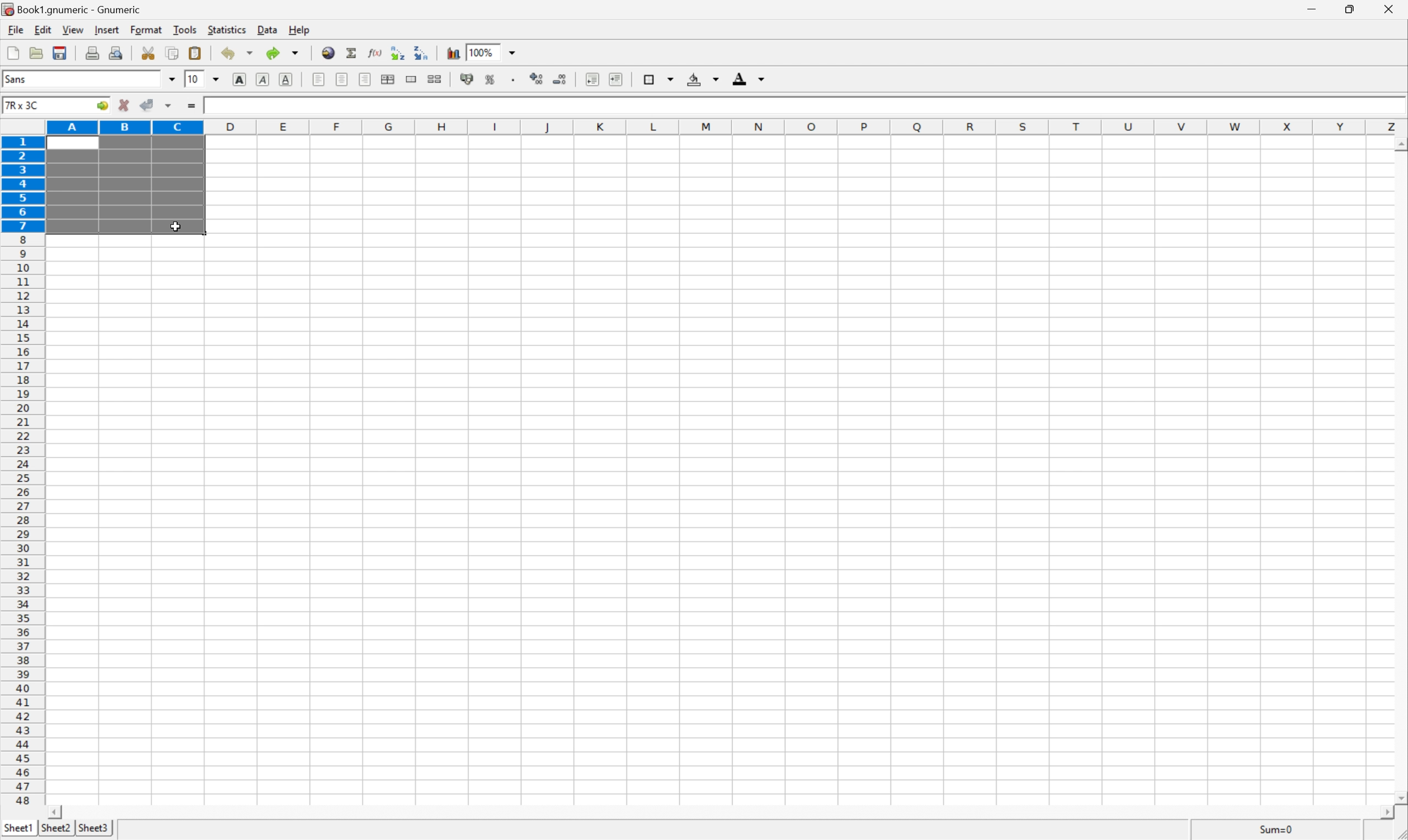 This screenshot has width=1408, height=840. What do you see at coordinates (263, 80) in the screenshot?
I see `italic` at bounding box center [263, 80].